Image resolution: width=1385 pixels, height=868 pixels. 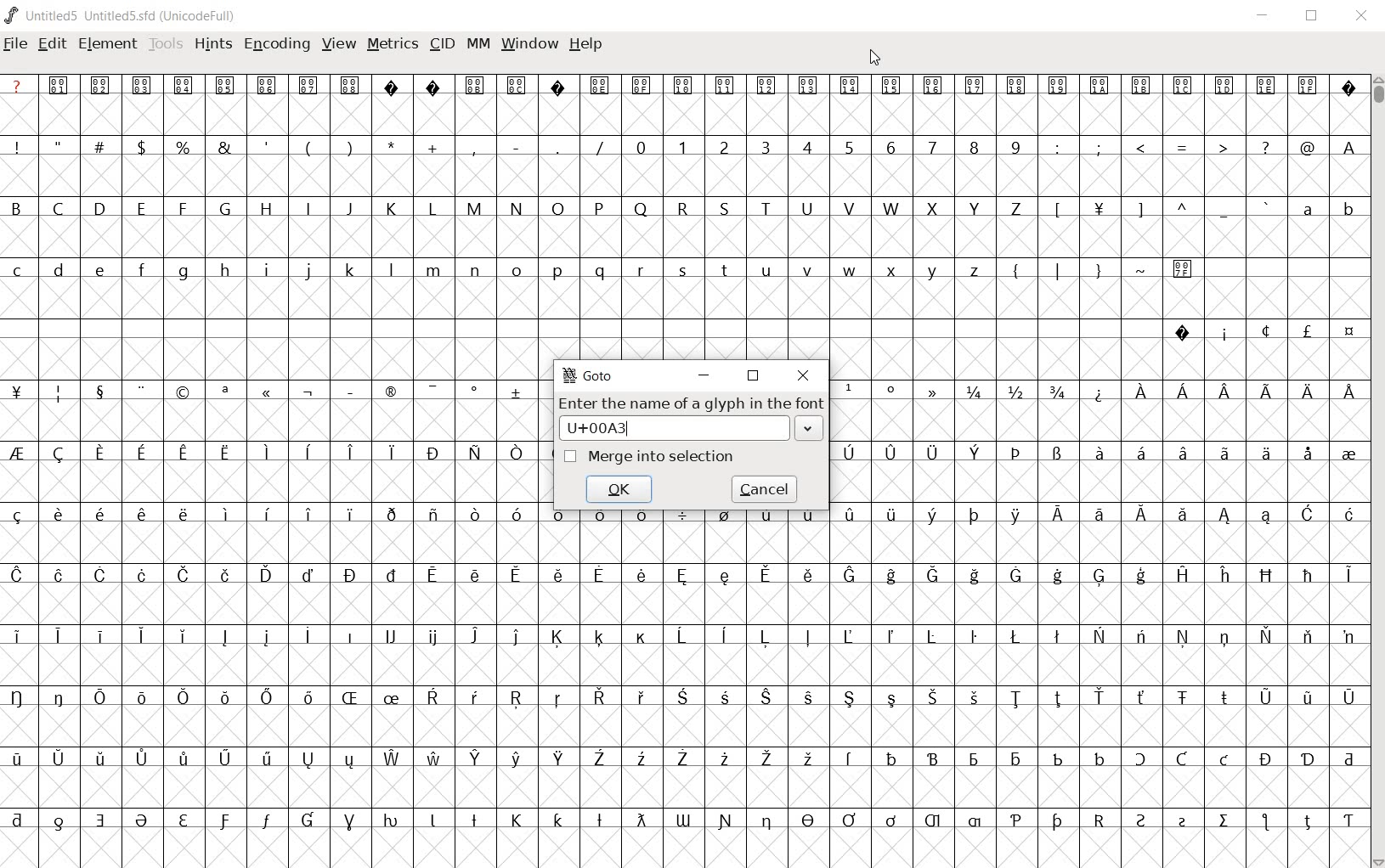 I want to click on U, so click(x=807, y=210).